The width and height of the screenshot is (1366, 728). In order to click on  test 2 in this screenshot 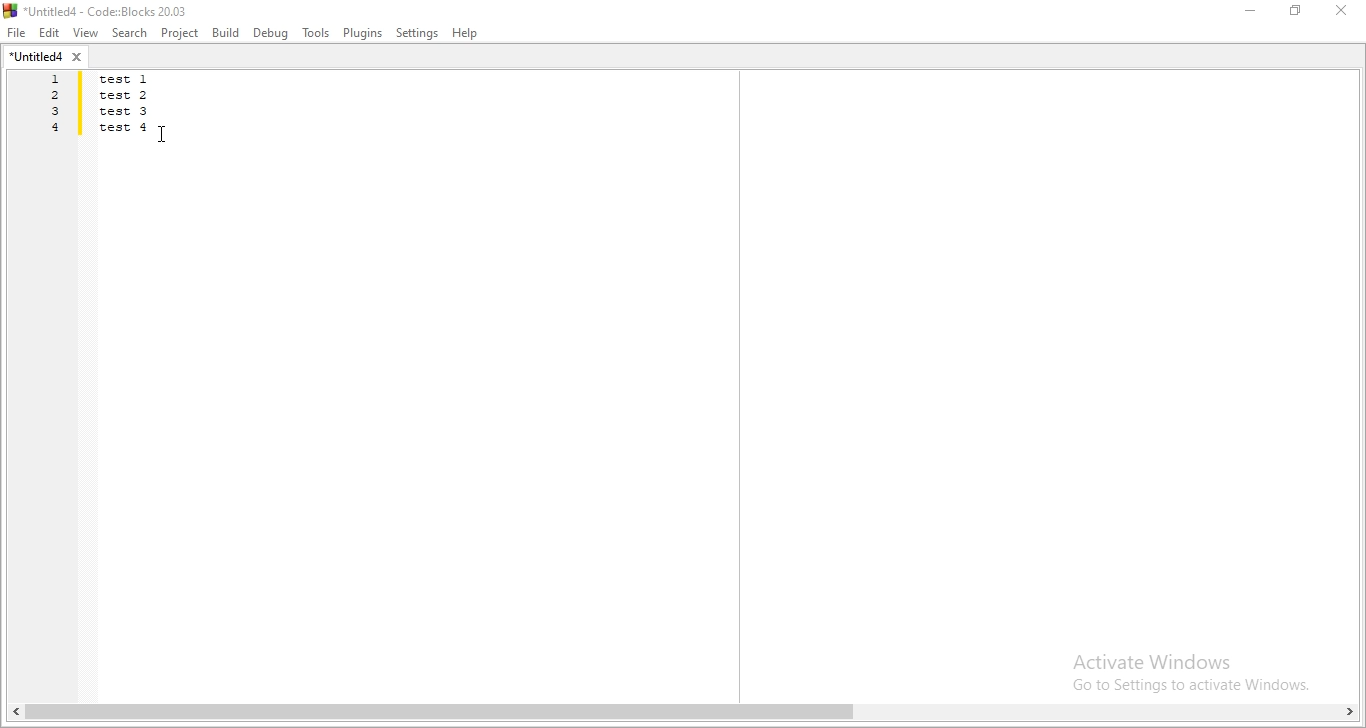, I will do `click(128, 96)`.